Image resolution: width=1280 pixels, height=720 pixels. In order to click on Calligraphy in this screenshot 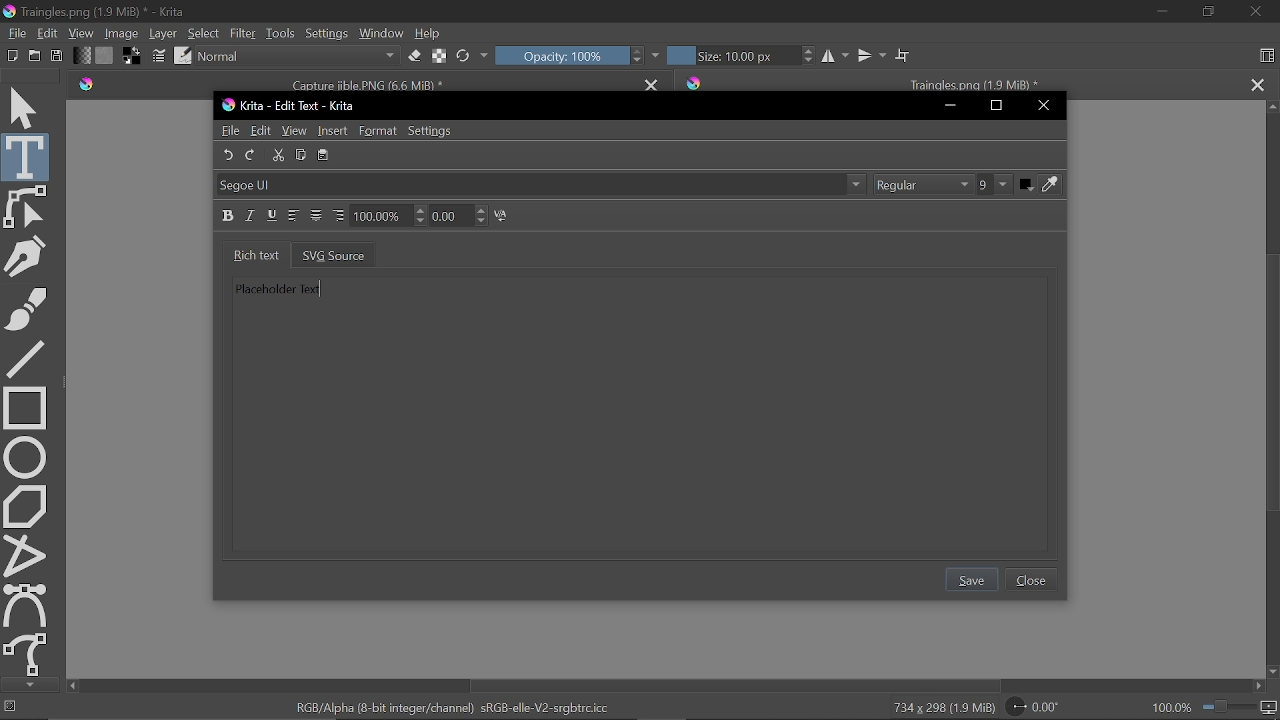, I will do `click(25, 256)`.